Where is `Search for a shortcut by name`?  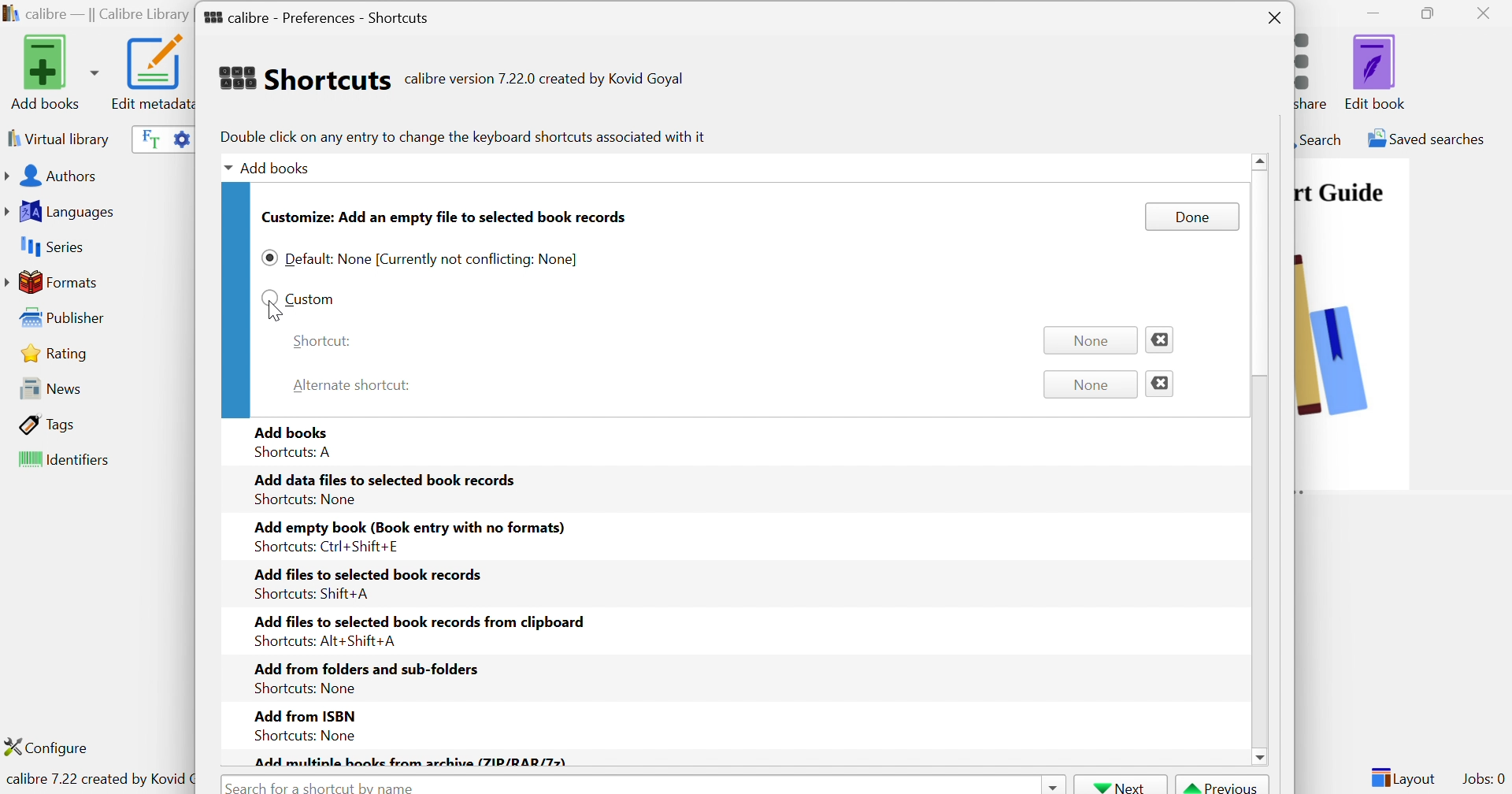 Search for a shortcut by name is located at coordinates (324, 785).